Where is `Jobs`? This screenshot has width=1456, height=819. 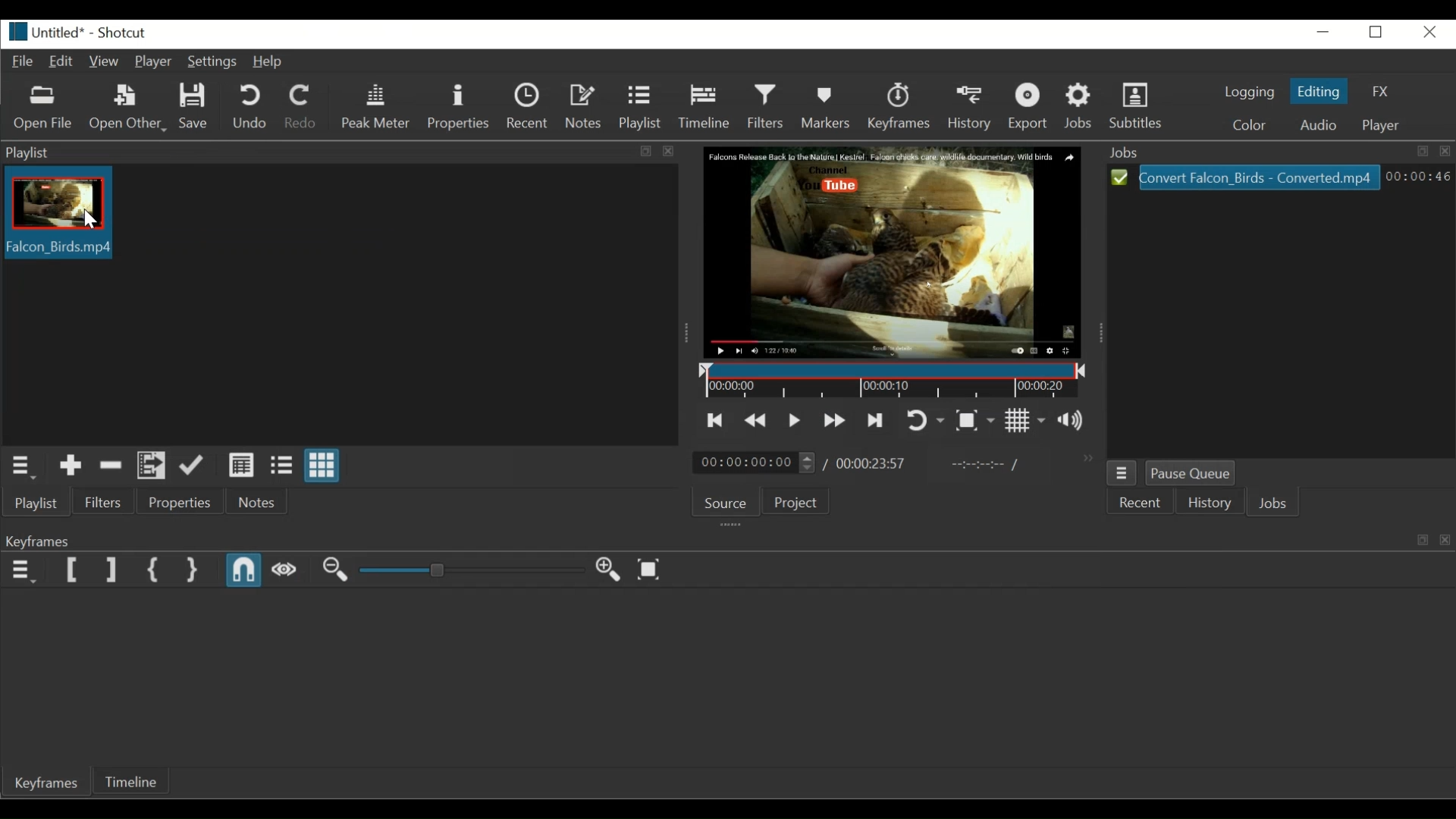
Jobs is located at coordinates (1276, 152).